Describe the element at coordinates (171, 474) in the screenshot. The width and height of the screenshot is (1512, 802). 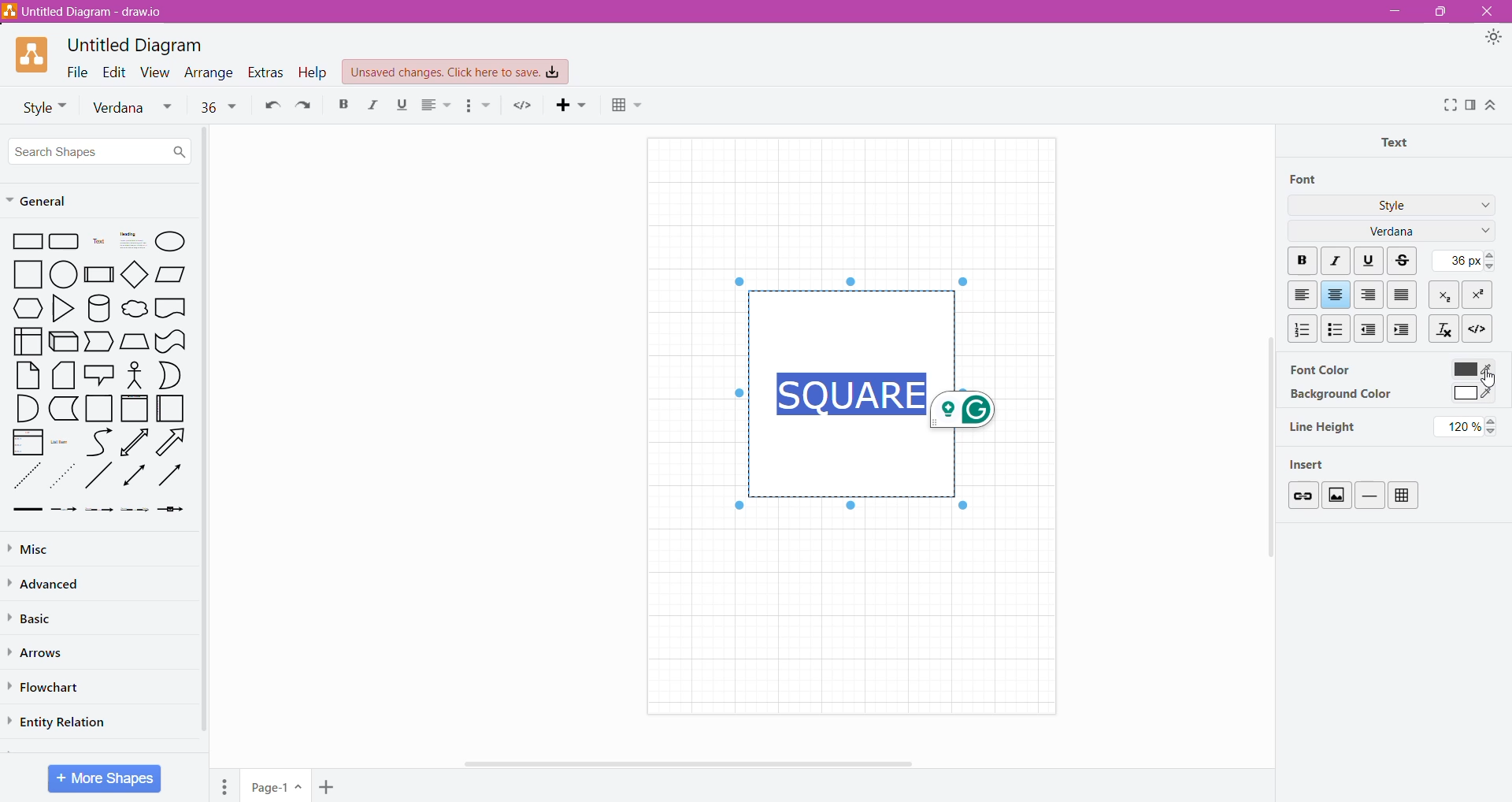
I see `Rightward Thick Arrow` at that location.